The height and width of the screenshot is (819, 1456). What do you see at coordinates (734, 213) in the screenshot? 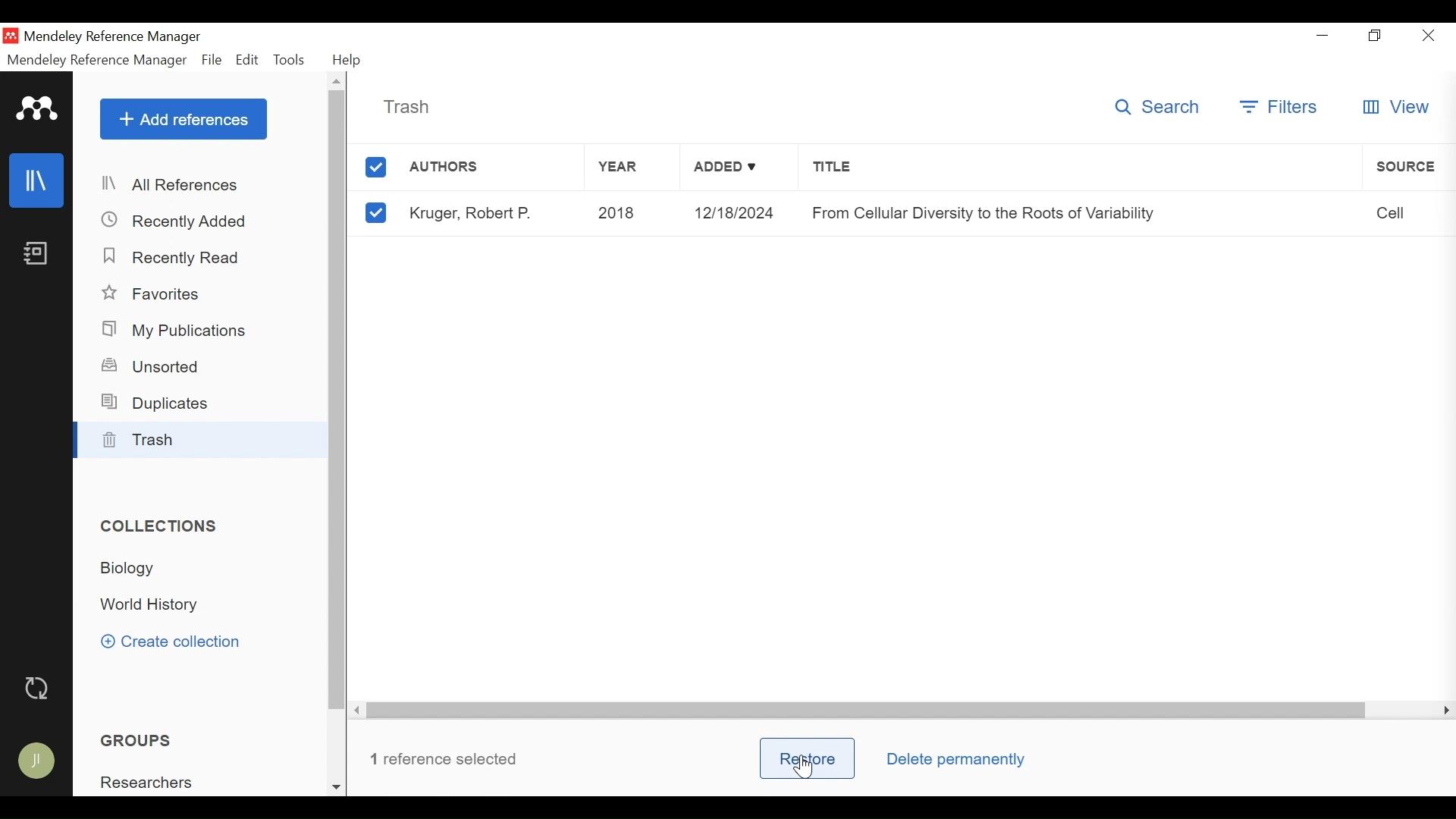
I see `12/18/2024` at bounding box center [734, 213].